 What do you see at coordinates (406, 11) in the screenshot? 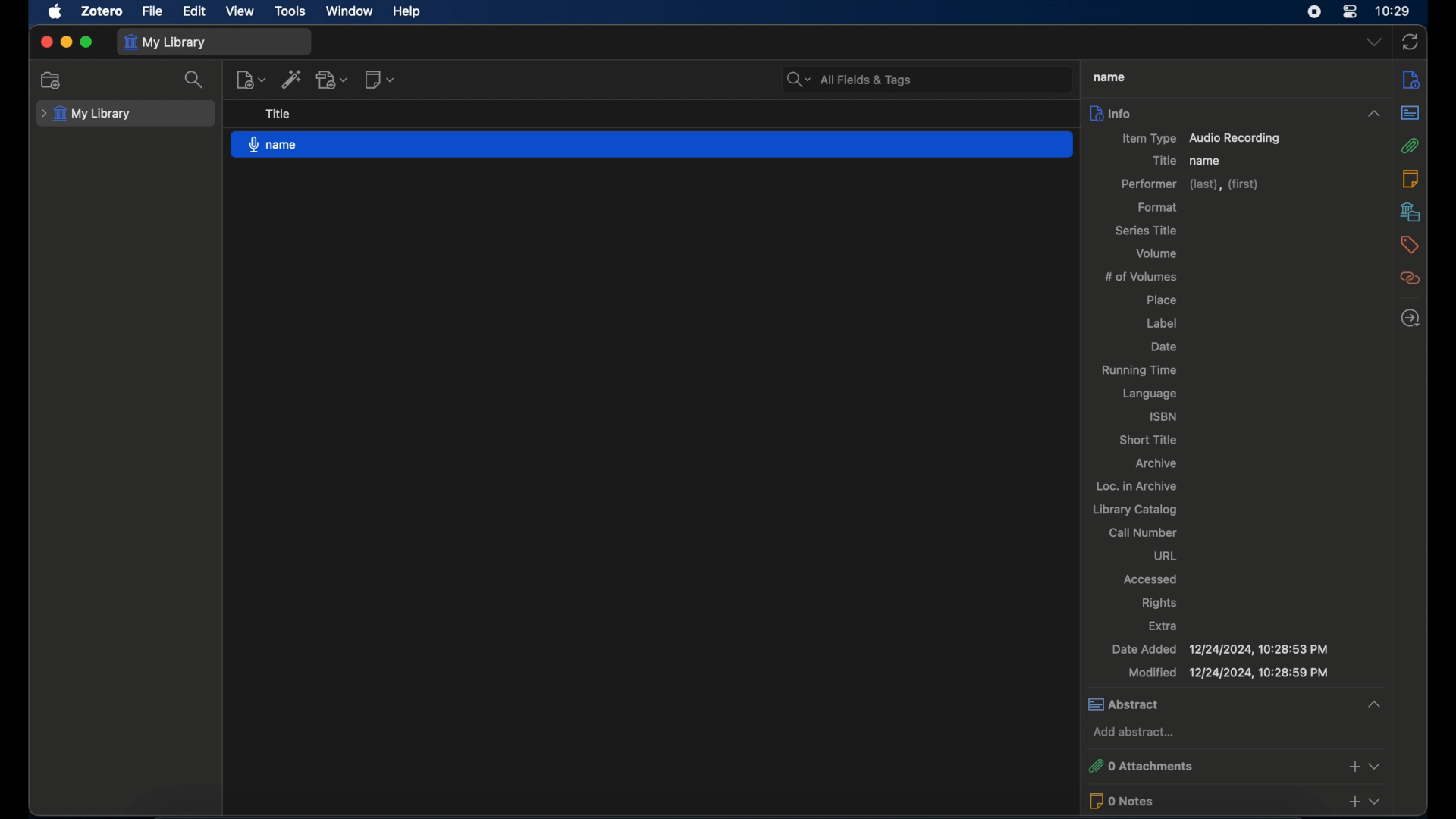
I see `help` at bounding box center [406, 11].